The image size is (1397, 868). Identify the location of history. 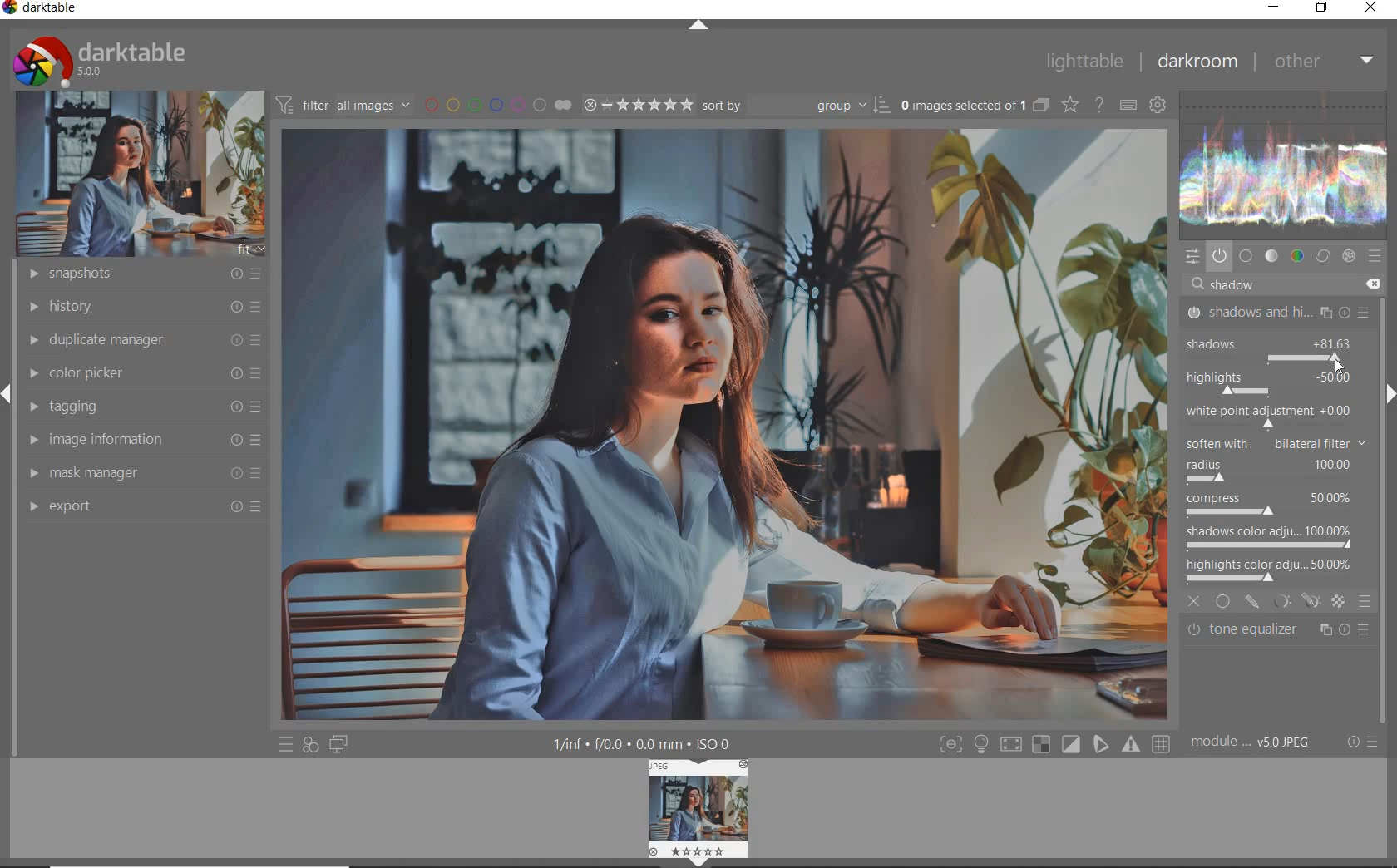
(141, 305).